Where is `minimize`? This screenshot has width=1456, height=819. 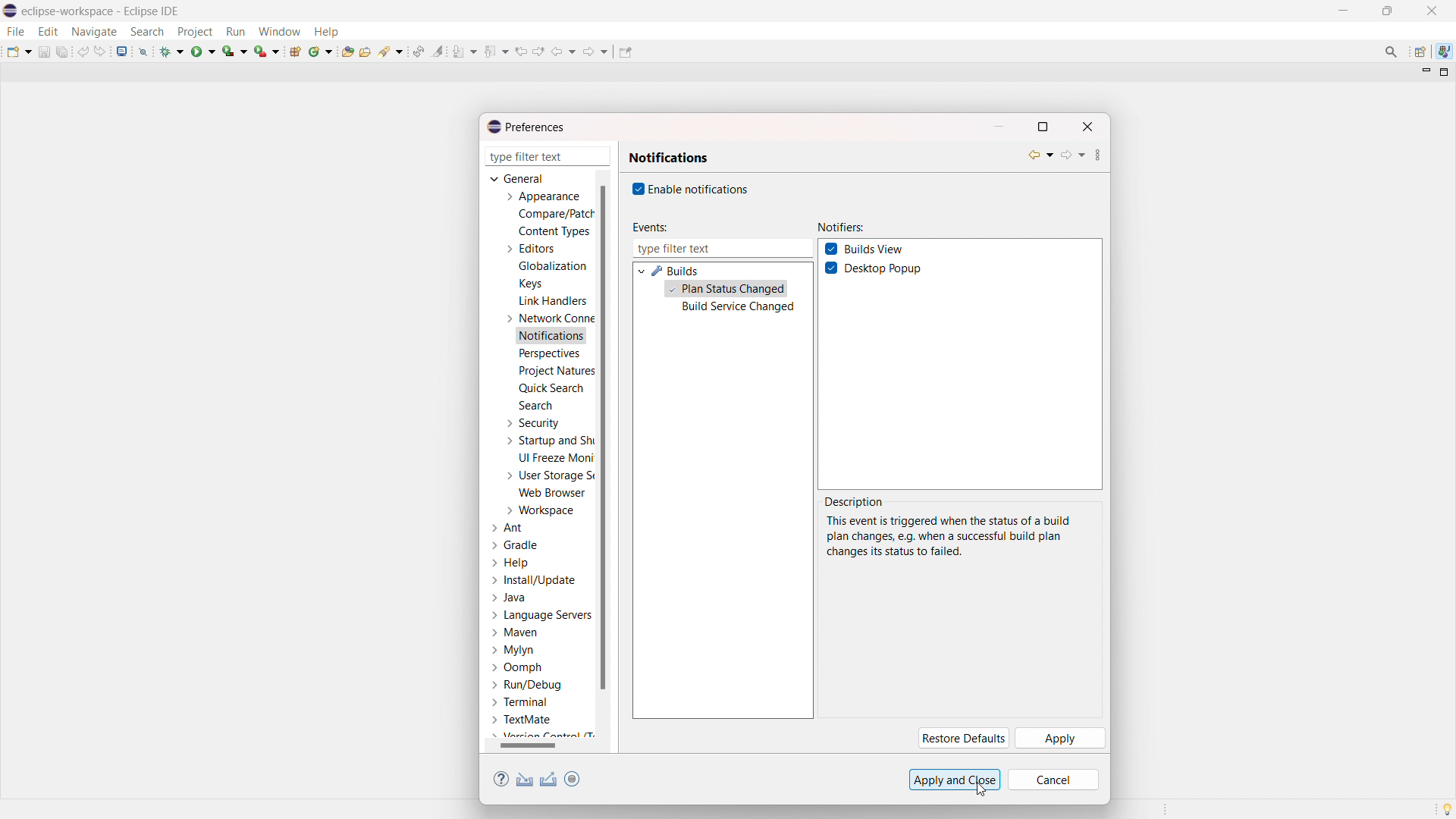 minimize is located at coordinates (1347, 11).